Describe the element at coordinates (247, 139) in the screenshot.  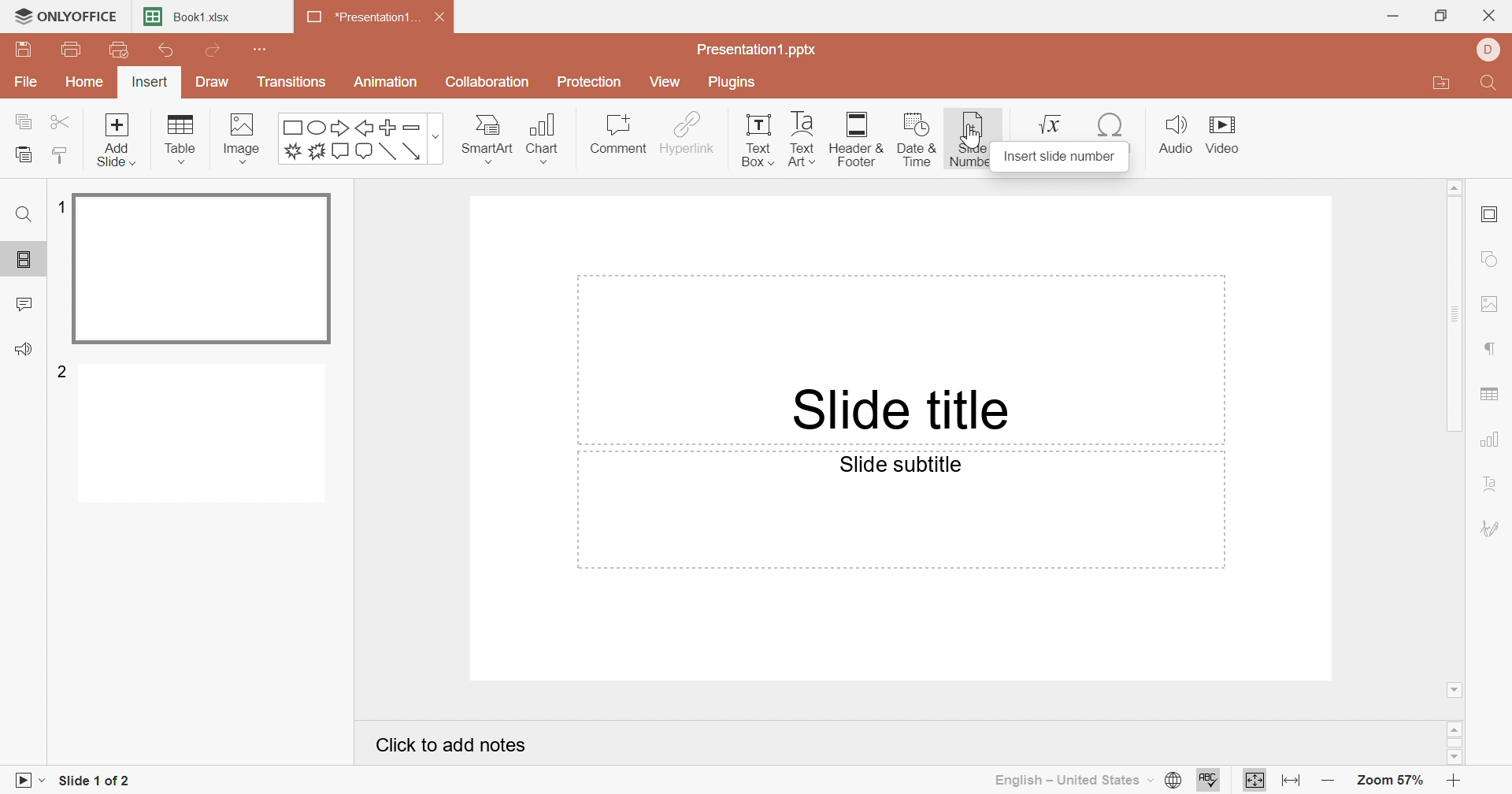
I see `Image` at that location.